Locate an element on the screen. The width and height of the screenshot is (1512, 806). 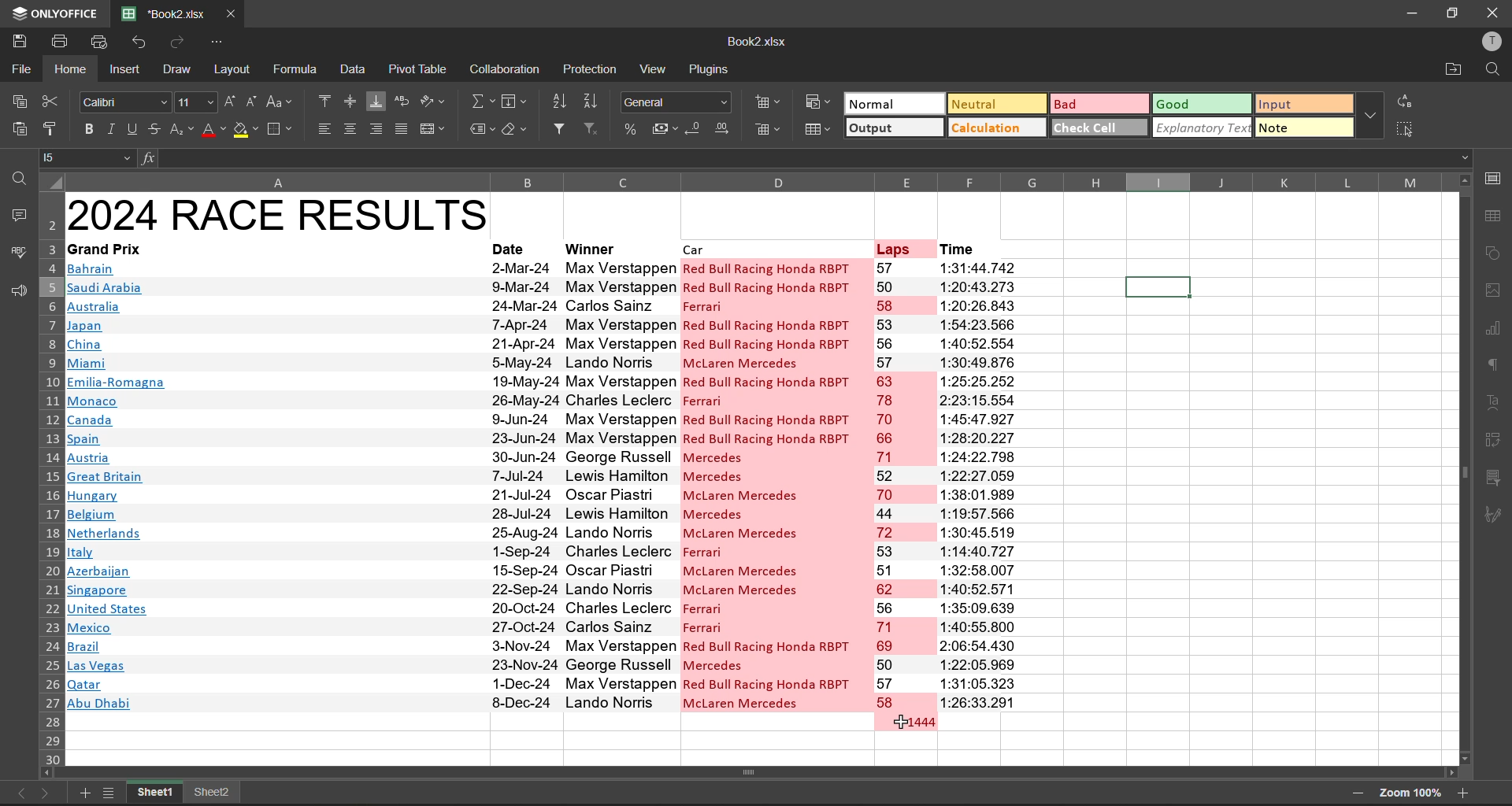
Country names is located at coordinates (118, 486).